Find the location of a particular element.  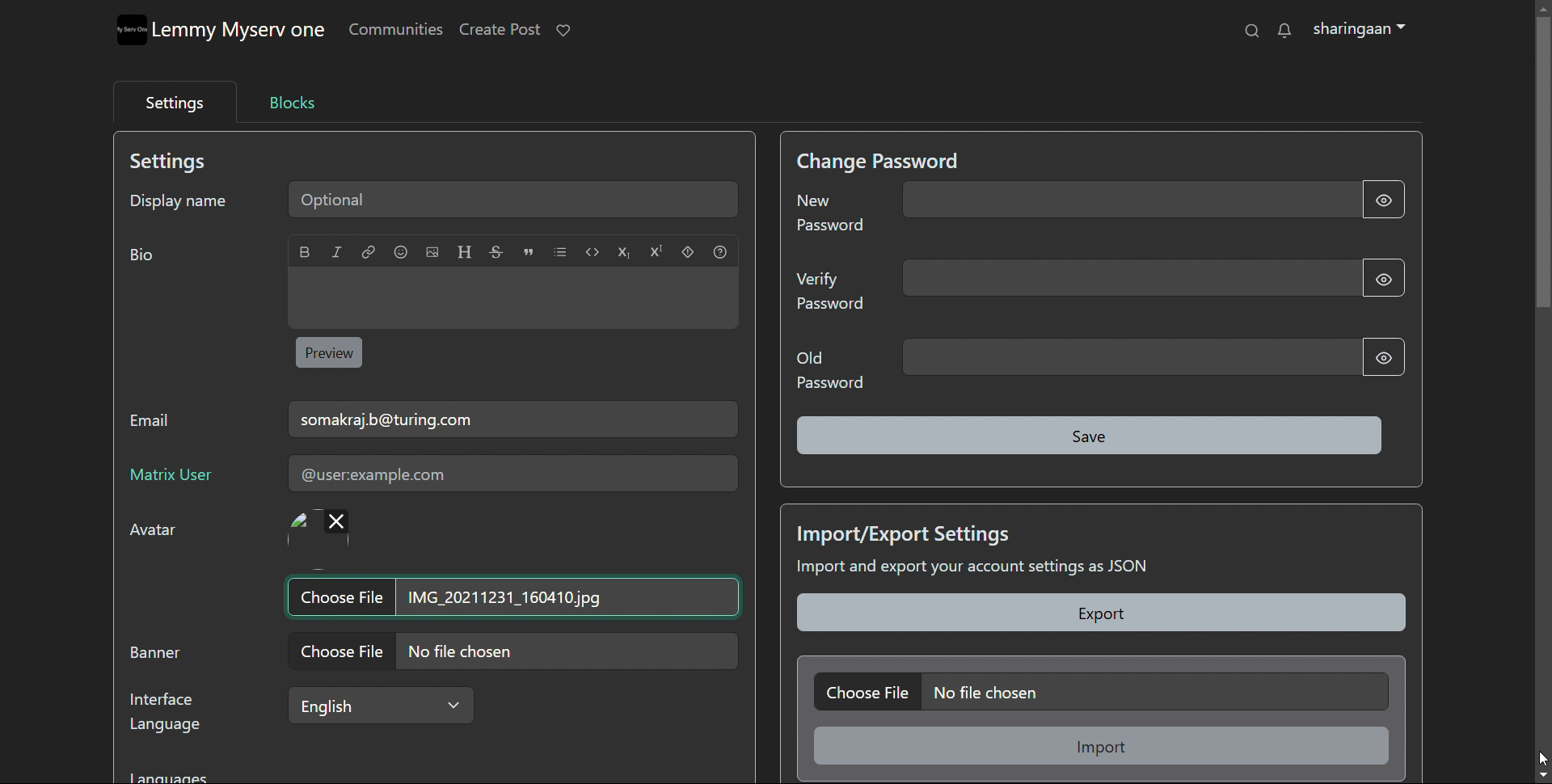

save is located at coordinates (1091, 436).